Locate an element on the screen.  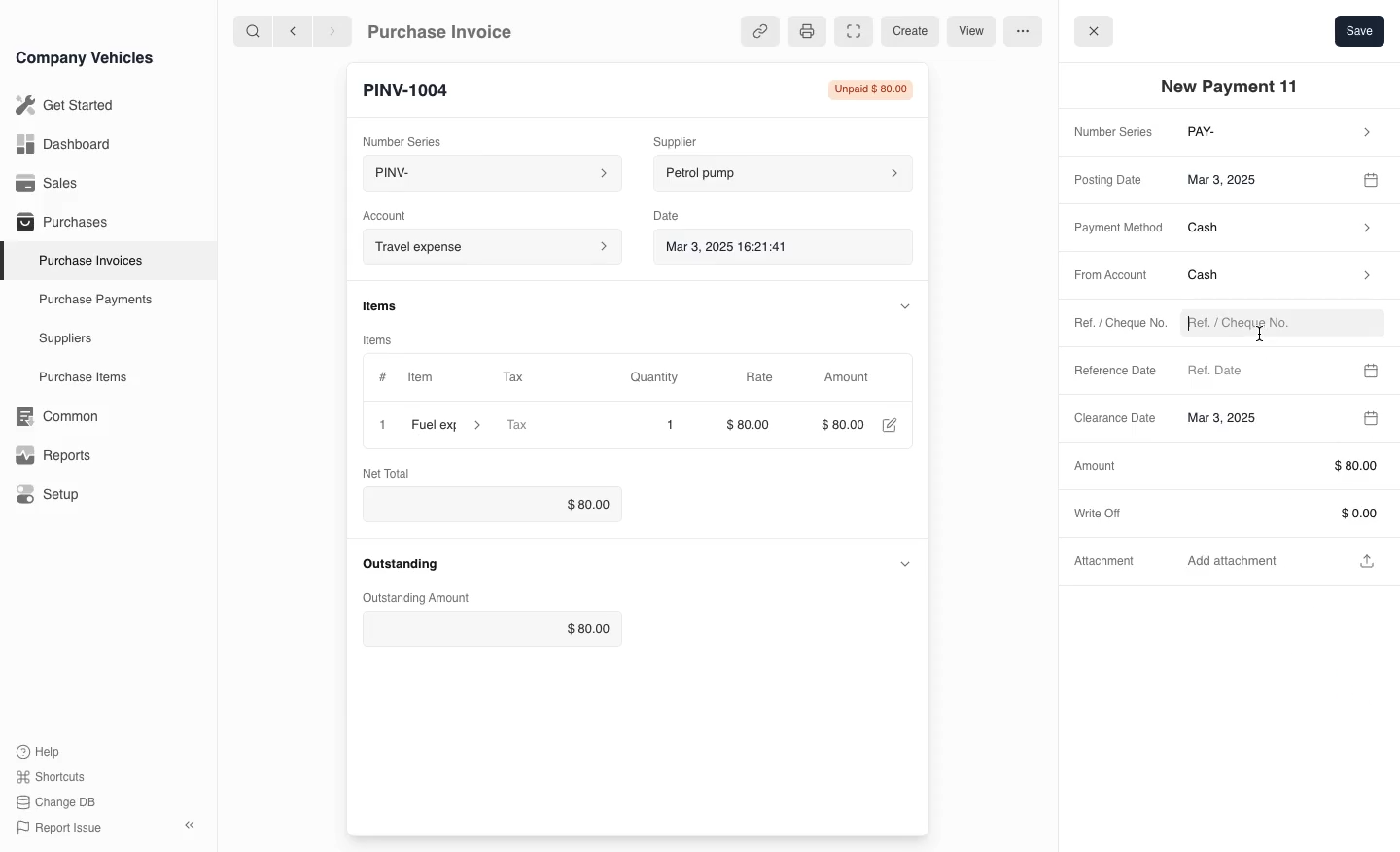
Reference Date is located at coordinates (1116, 372).